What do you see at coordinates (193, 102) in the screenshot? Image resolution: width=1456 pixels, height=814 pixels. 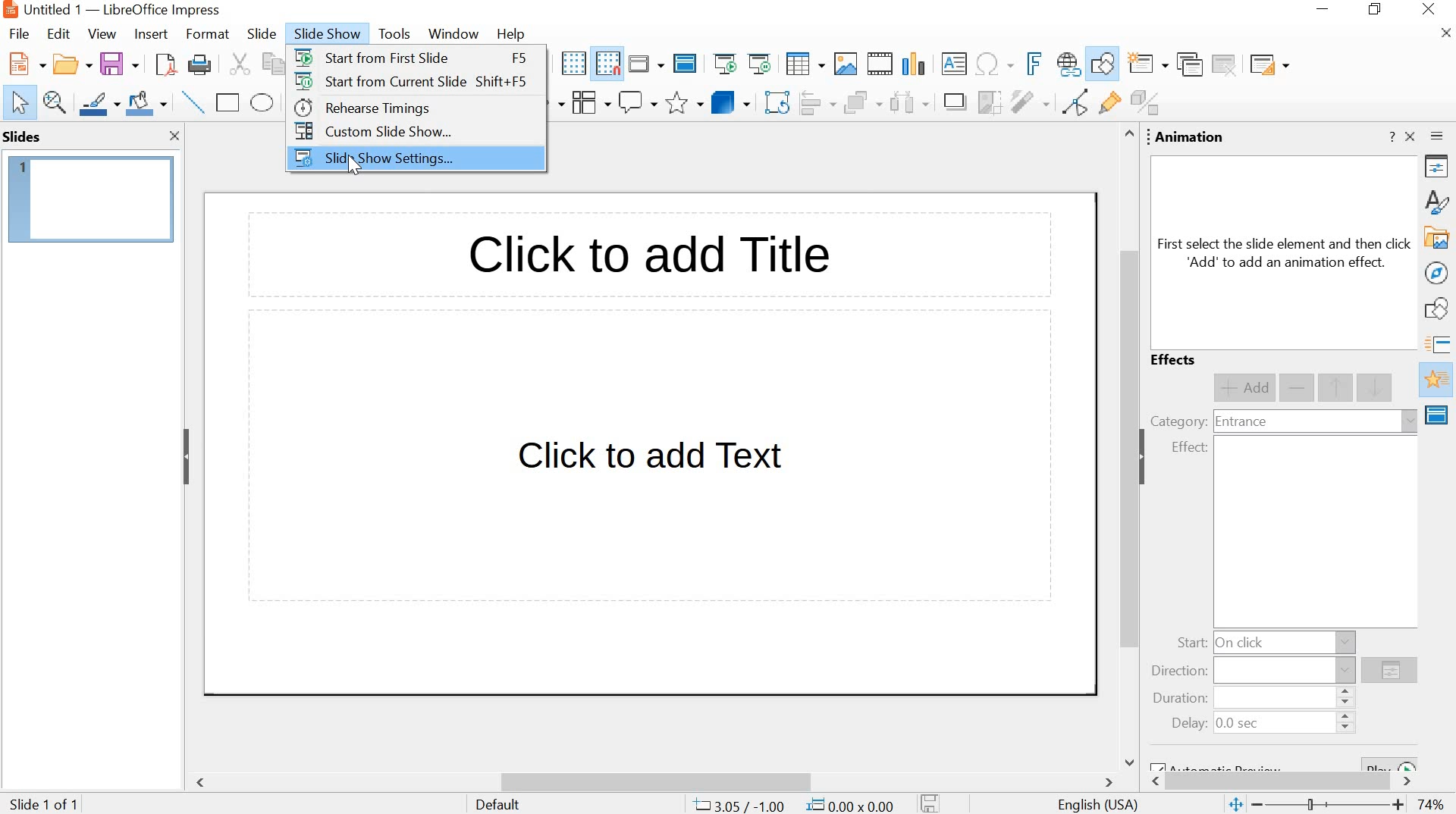 I see `insert line` at bounding box center [193, 102].